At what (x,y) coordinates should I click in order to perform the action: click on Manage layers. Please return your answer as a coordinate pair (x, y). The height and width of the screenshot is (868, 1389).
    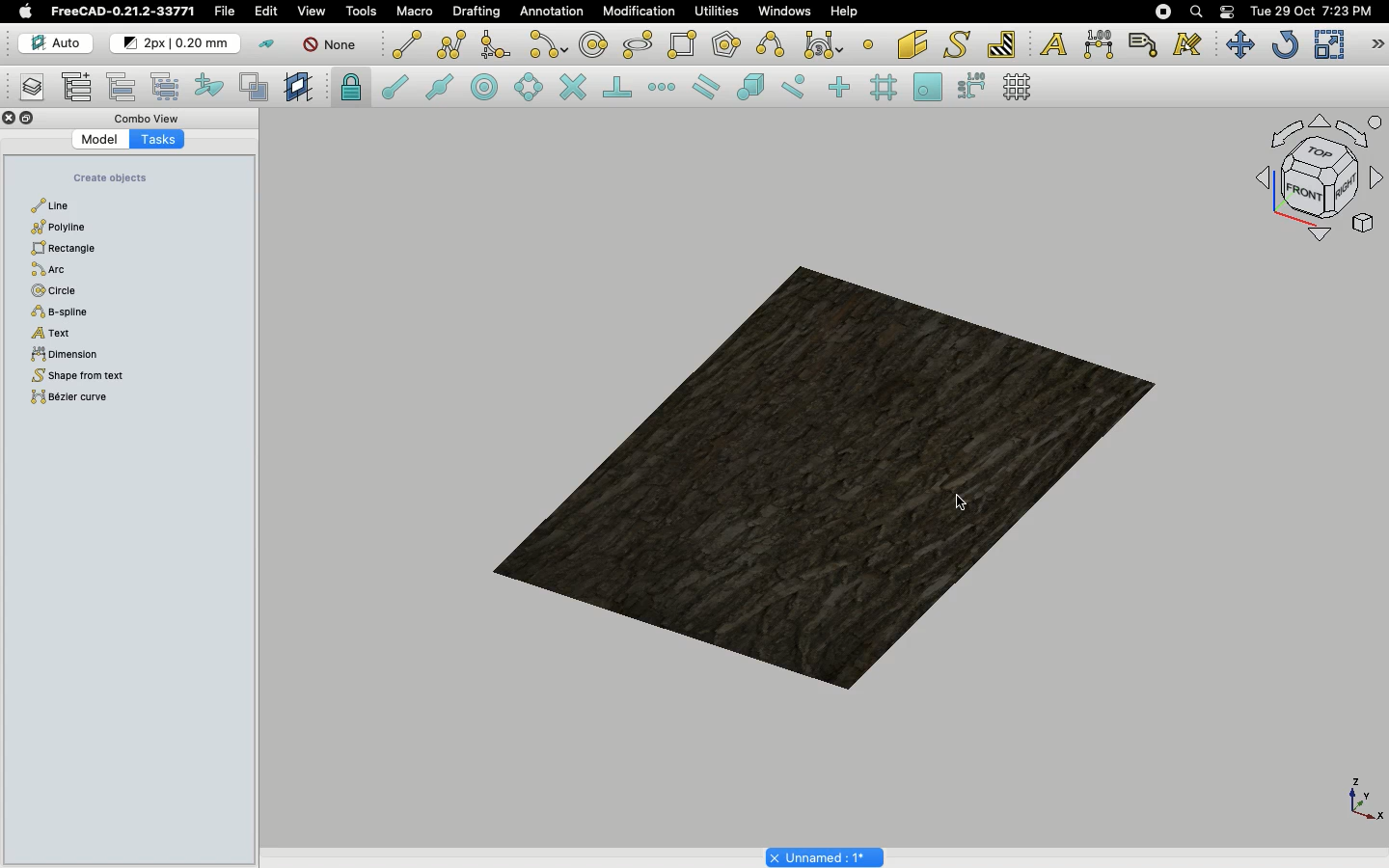
    Looking at the image, I should click on (25, 88).